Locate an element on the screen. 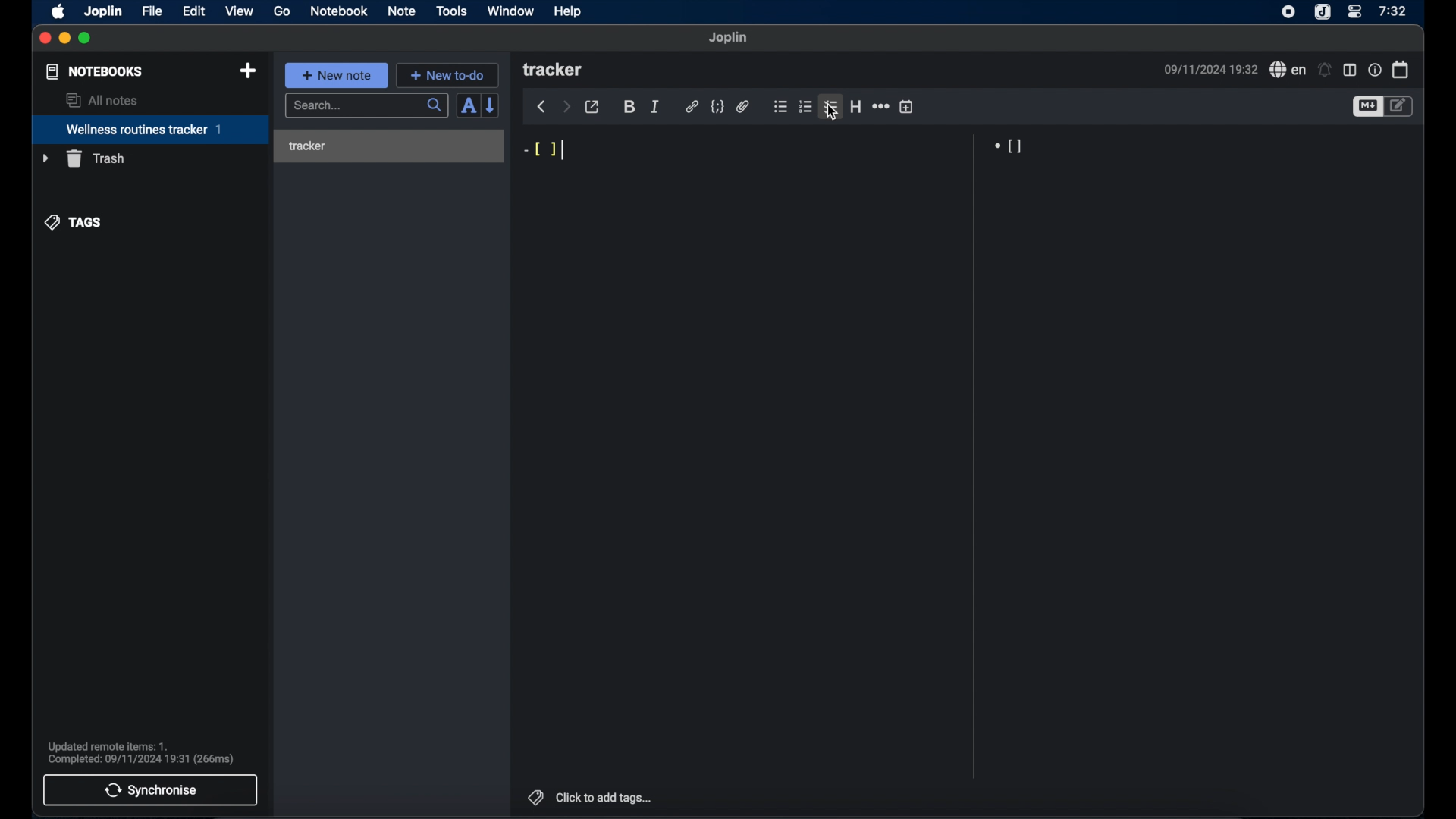  control center is located at coordinates (1355, 12).